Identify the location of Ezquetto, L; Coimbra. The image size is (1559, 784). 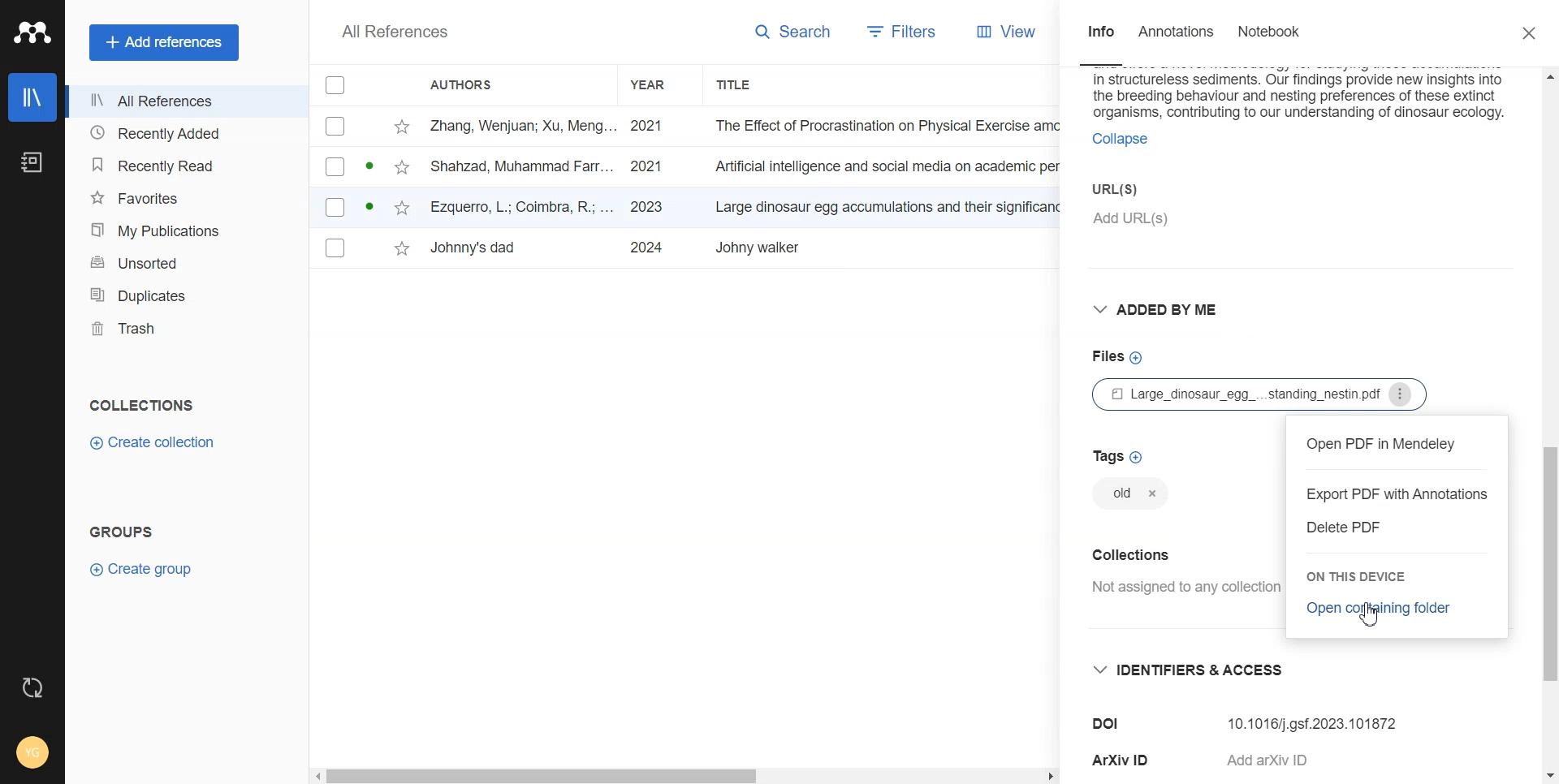
(523, 208).